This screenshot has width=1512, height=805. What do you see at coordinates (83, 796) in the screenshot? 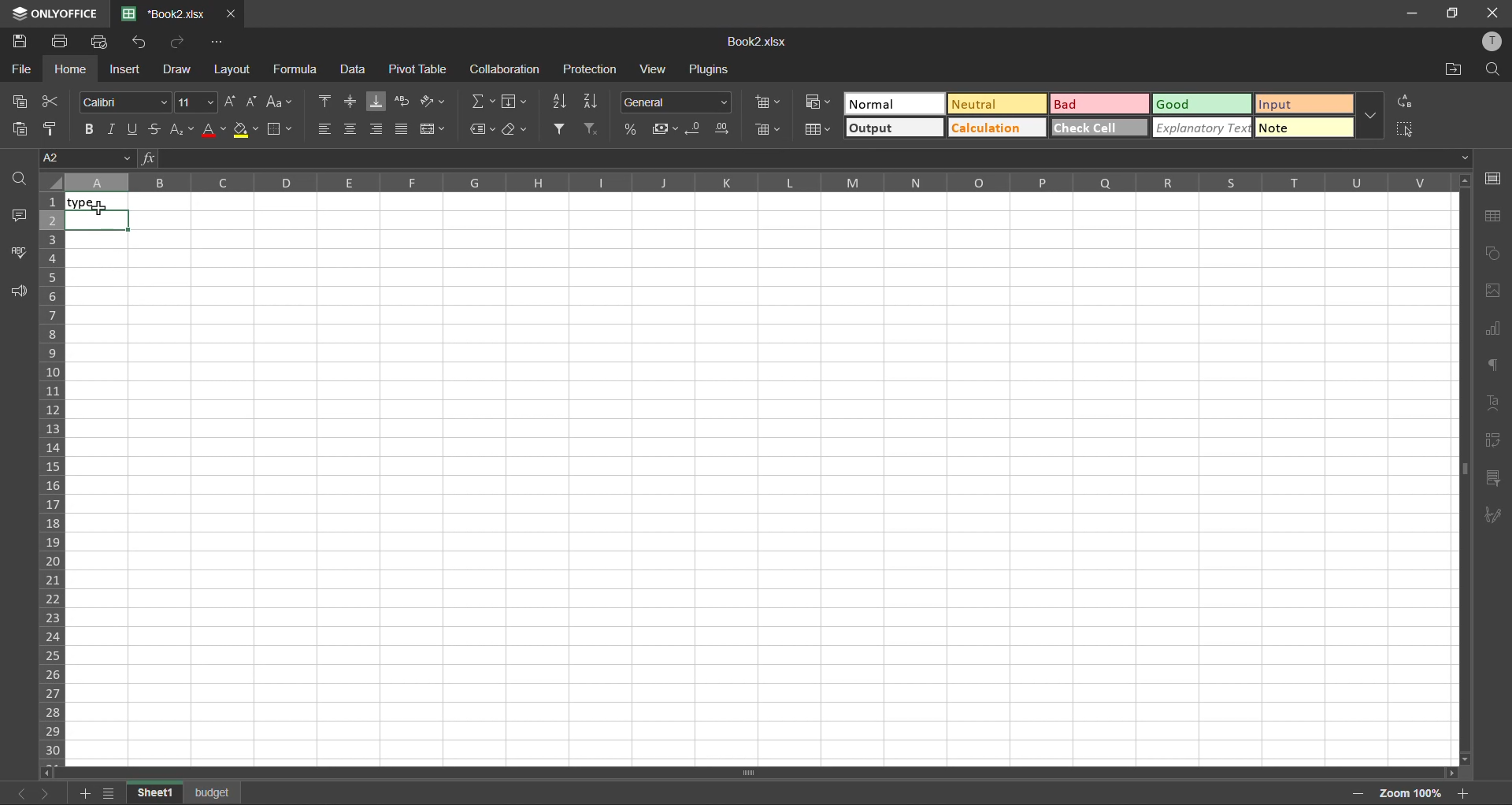
I see `add sheet` at bounding box center [83, 796].